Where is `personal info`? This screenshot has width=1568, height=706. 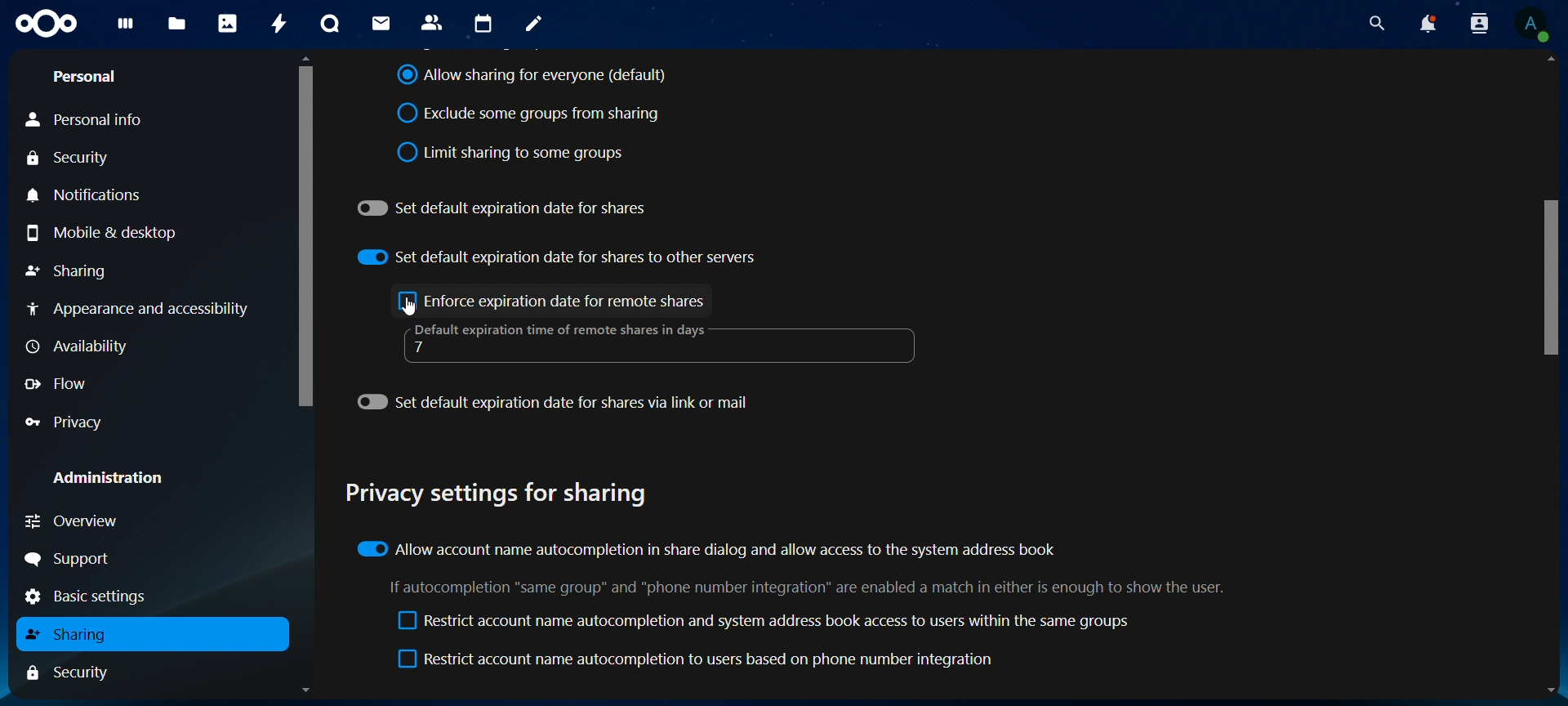
personal info is located at coordinates (90, 120).